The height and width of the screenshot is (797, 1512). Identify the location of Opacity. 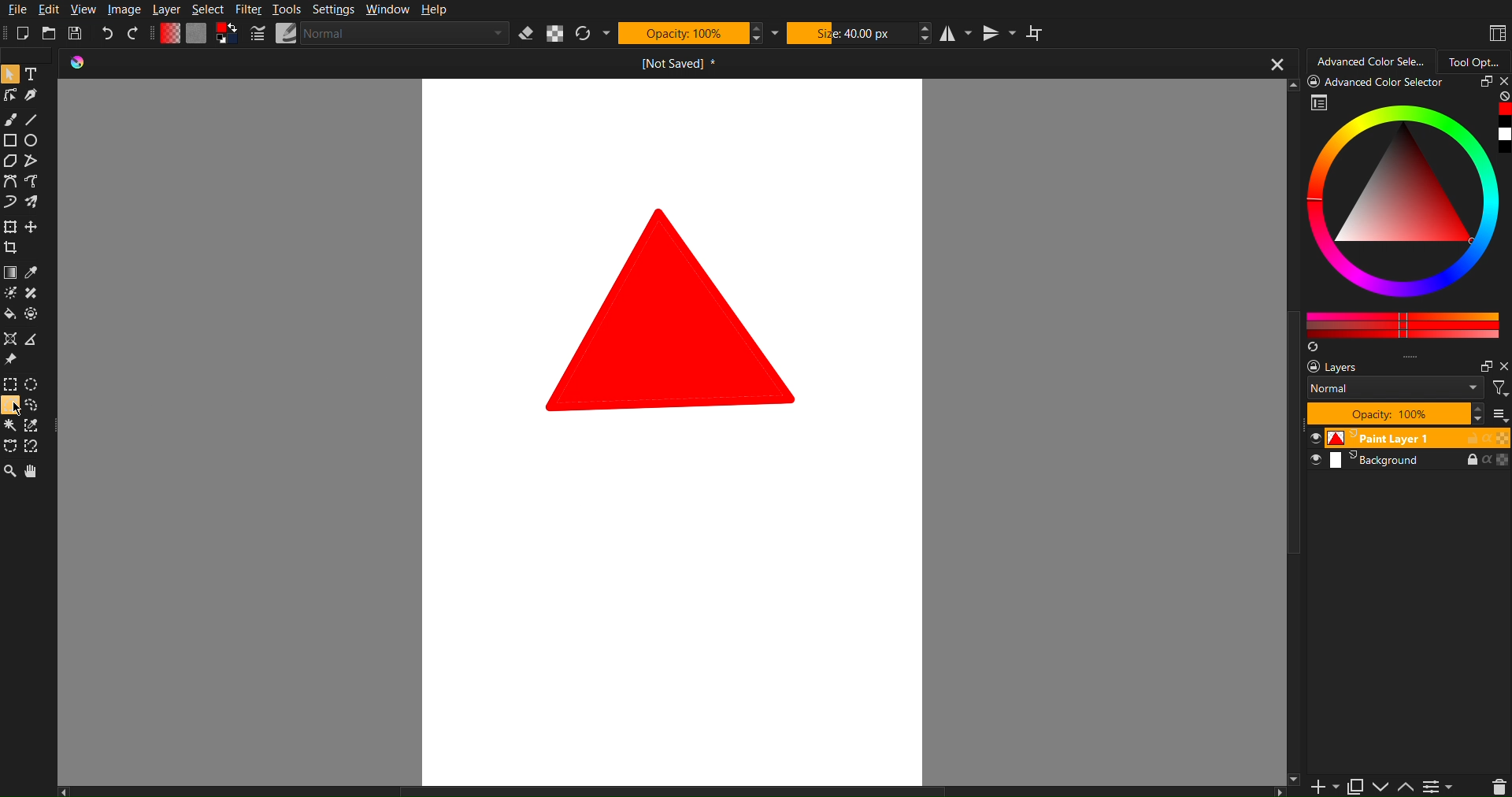
(685, 34).